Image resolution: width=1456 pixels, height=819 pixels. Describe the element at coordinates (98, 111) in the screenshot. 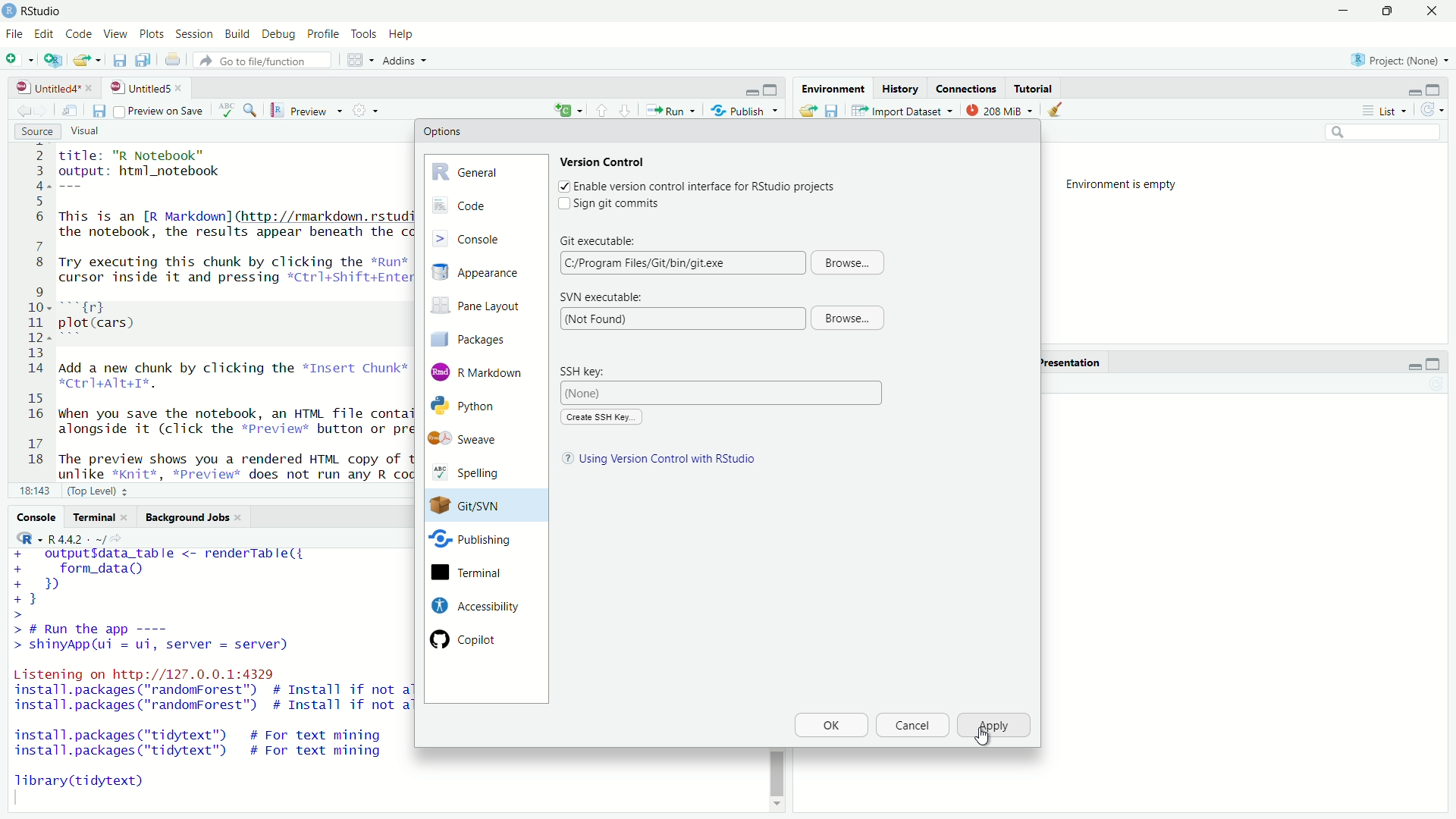

I see `save` at that location.